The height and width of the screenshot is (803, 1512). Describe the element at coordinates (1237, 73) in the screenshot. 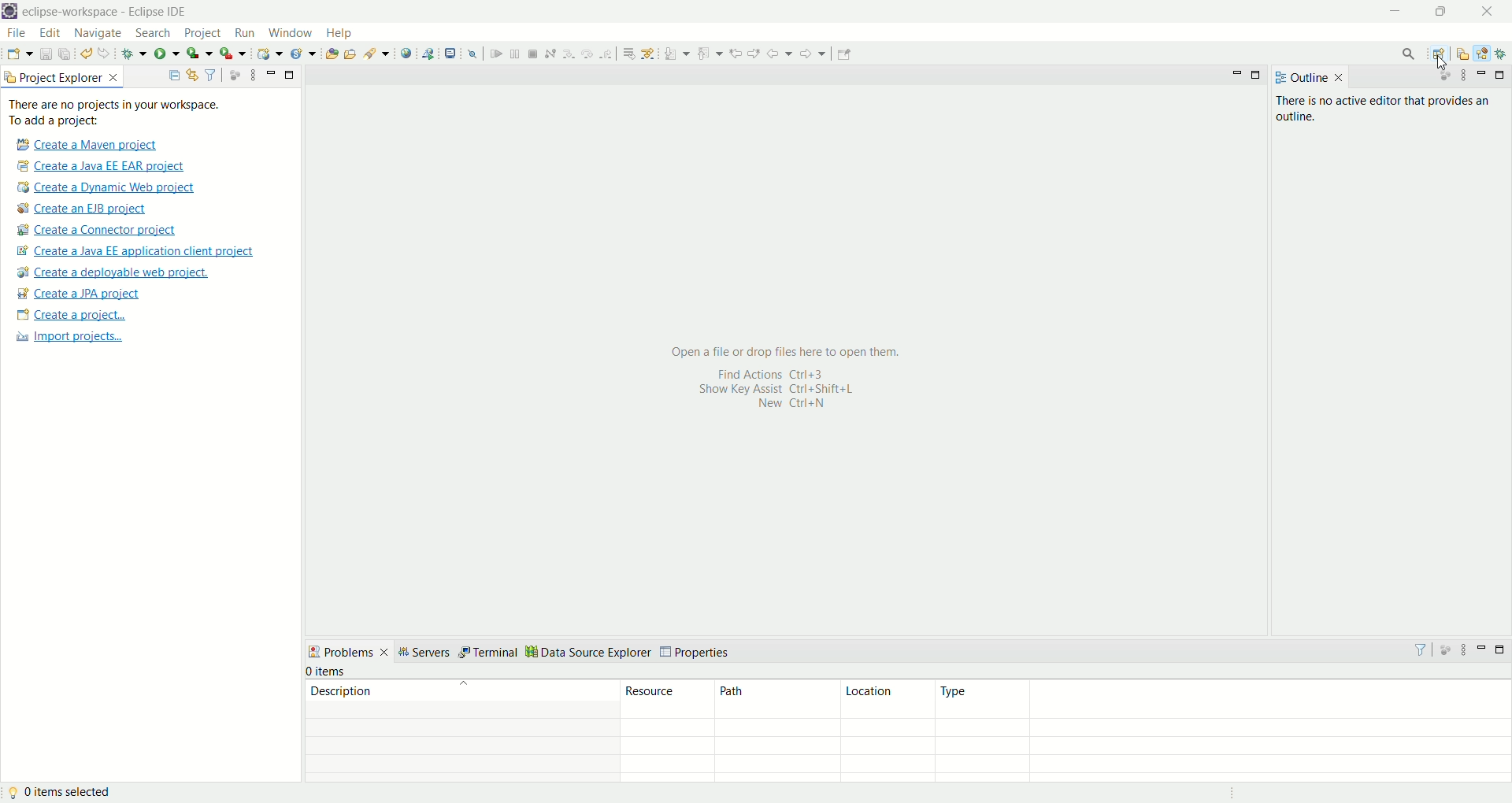

I see `minimize` at that location.